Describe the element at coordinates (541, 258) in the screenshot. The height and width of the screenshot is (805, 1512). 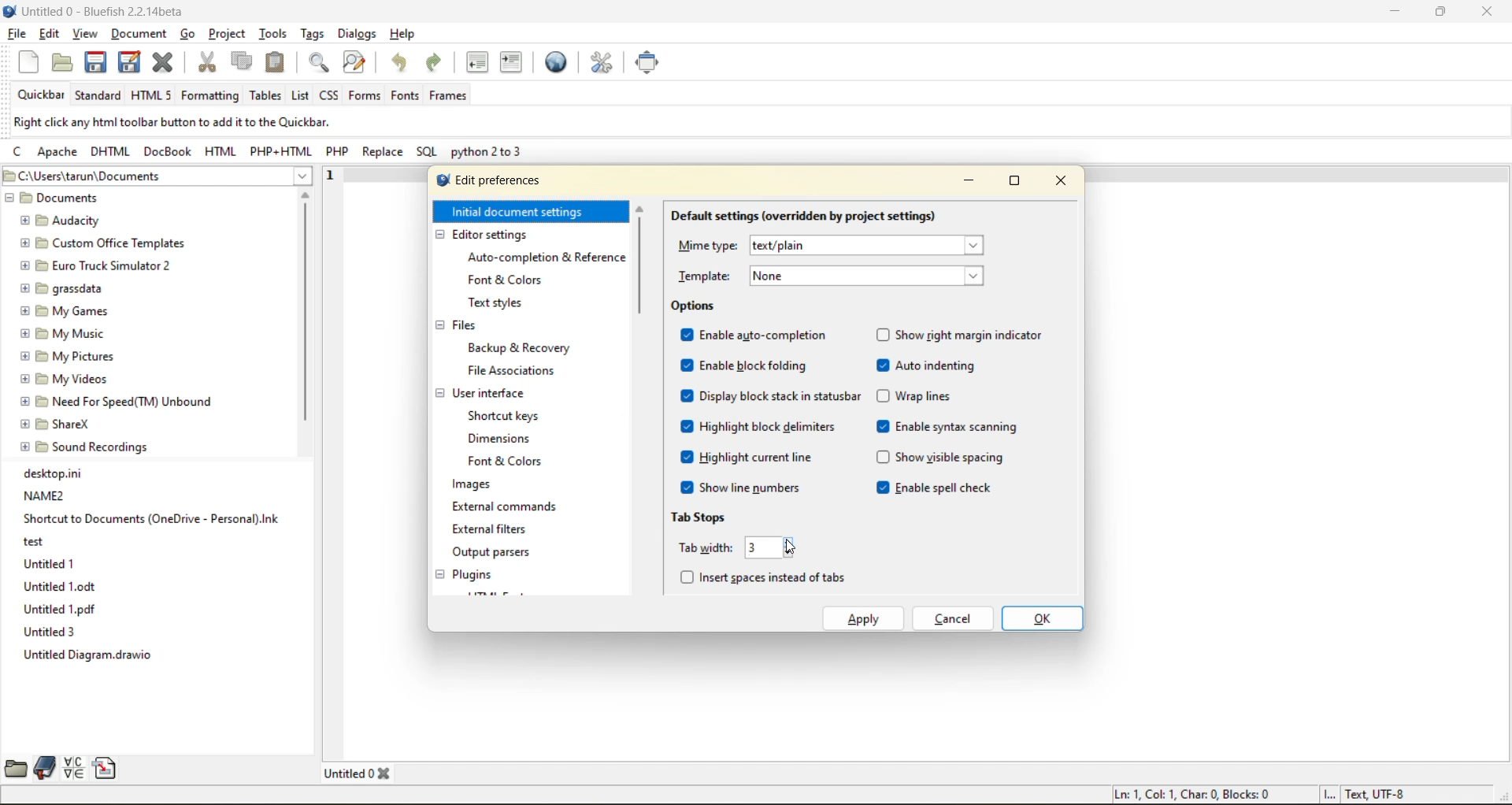
I see `auto completion and reference` at that location.